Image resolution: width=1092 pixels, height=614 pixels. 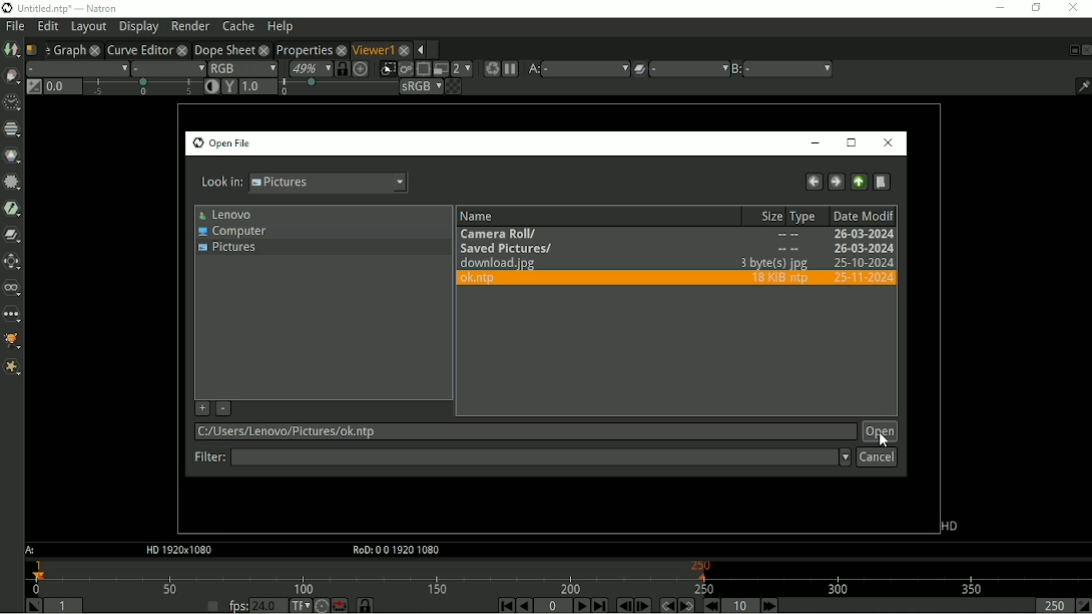 What do you see at coordinates (65, 607) in the screenshot?
I see `Playback in point` at bounding box center [65, 607].